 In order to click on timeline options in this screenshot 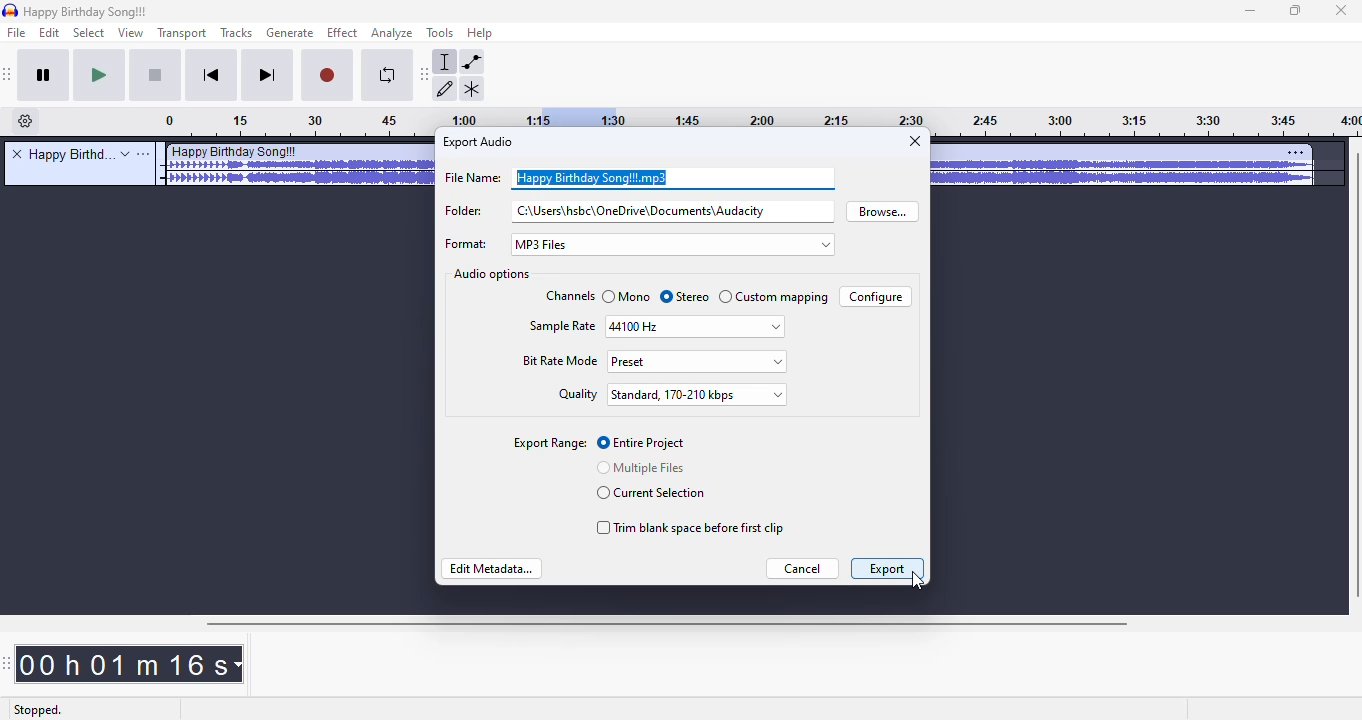, I will do `click(26, 121)`.